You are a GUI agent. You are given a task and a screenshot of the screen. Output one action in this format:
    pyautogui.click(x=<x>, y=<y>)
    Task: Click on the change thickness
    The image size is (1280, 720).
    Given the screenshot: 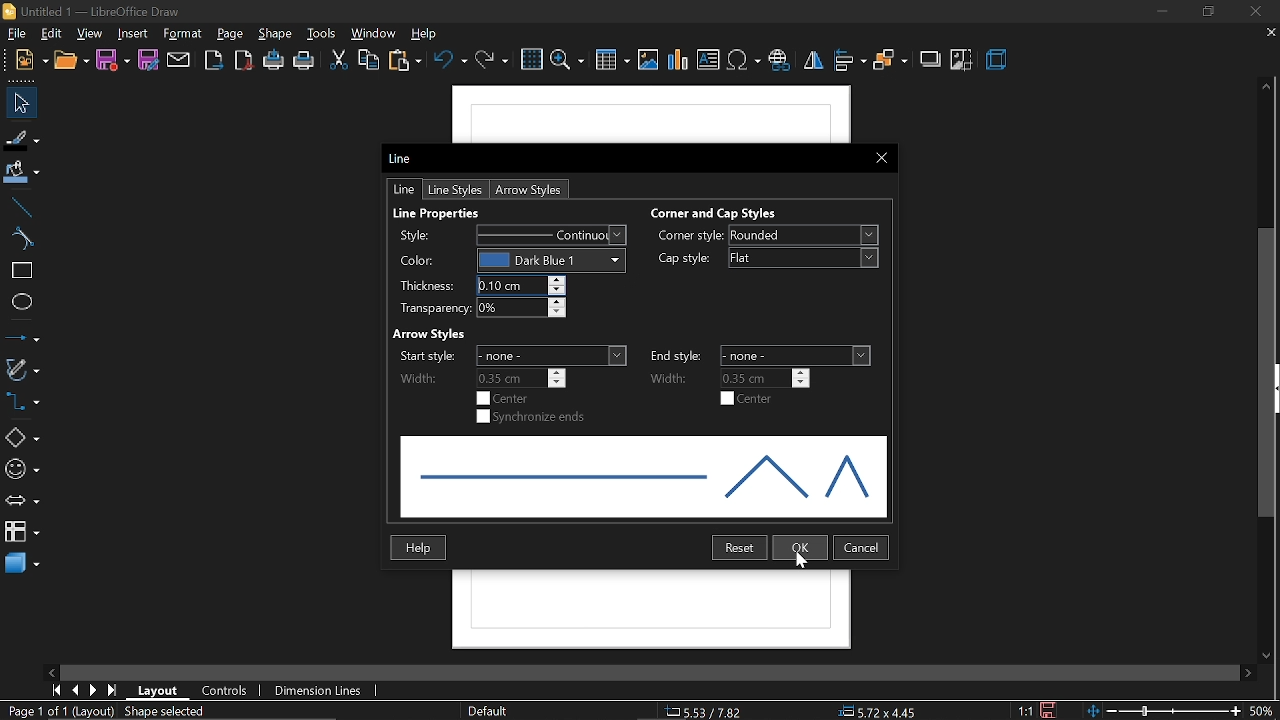 What is the action you would take?
    pyautogui.click(x=522, y=285)
    